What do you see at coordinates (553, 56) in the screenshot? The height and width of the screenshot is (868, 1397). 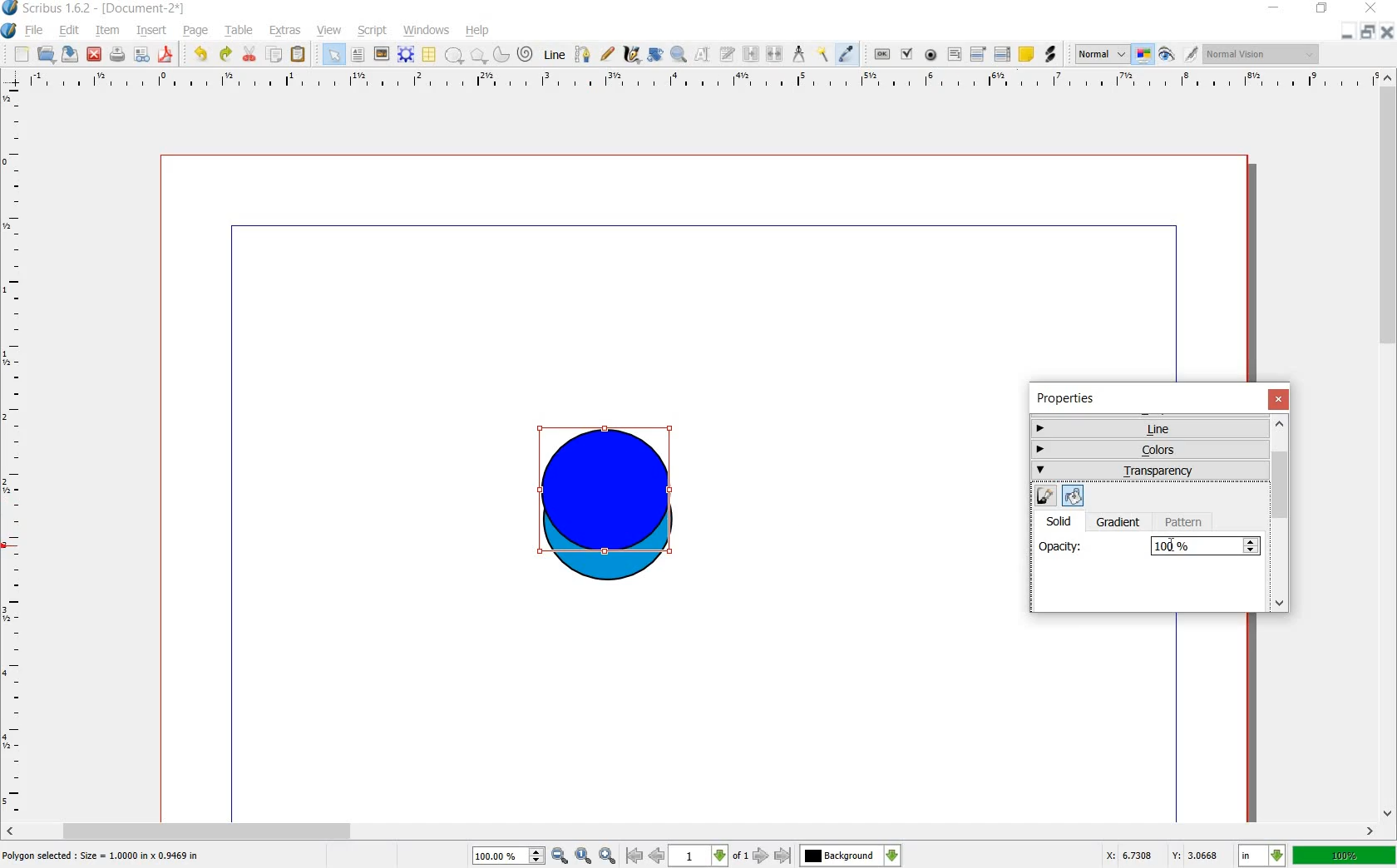 I see `line` at bounding box center [553, 56].